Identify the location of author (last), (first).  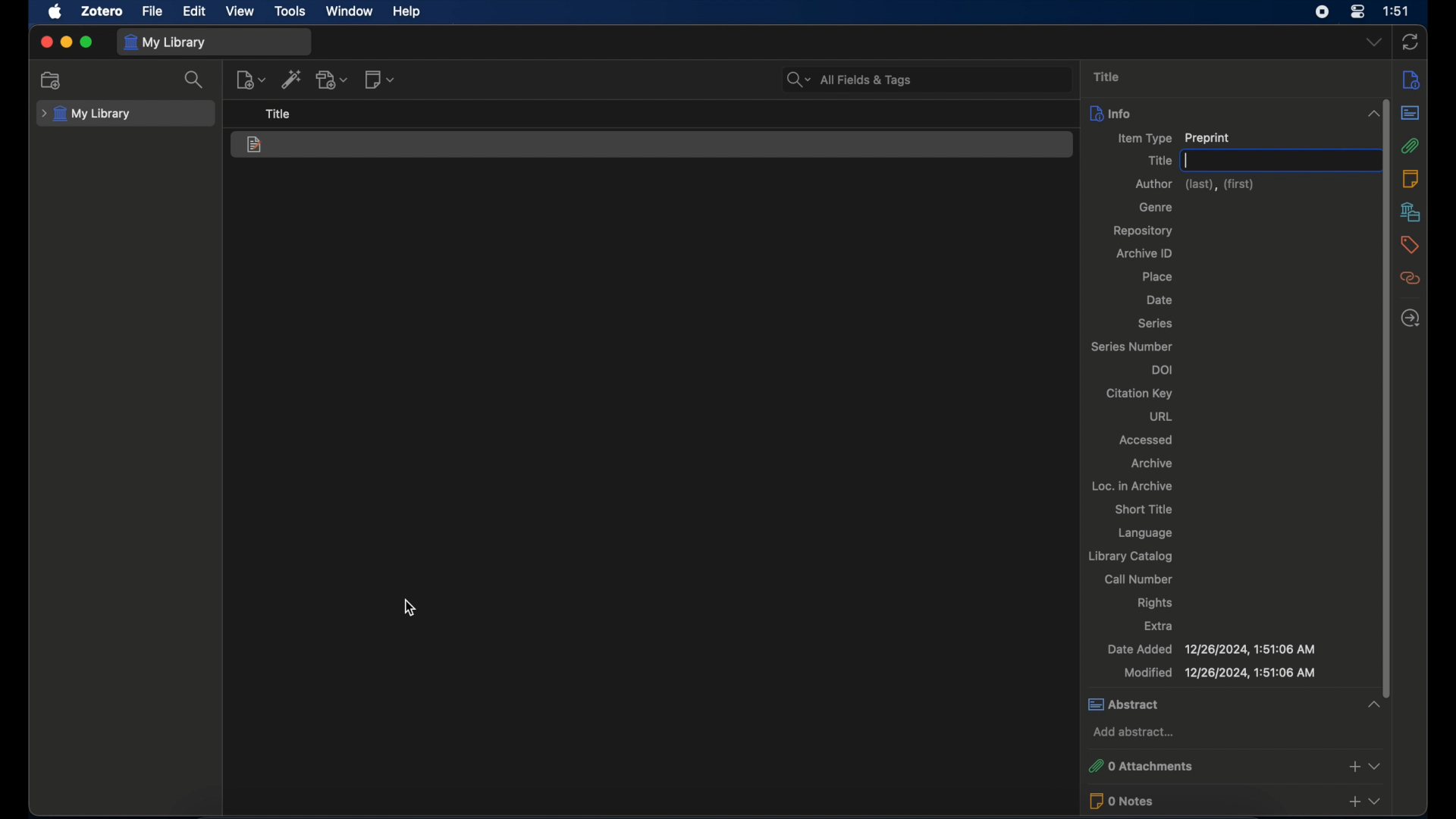
(1194, 184).